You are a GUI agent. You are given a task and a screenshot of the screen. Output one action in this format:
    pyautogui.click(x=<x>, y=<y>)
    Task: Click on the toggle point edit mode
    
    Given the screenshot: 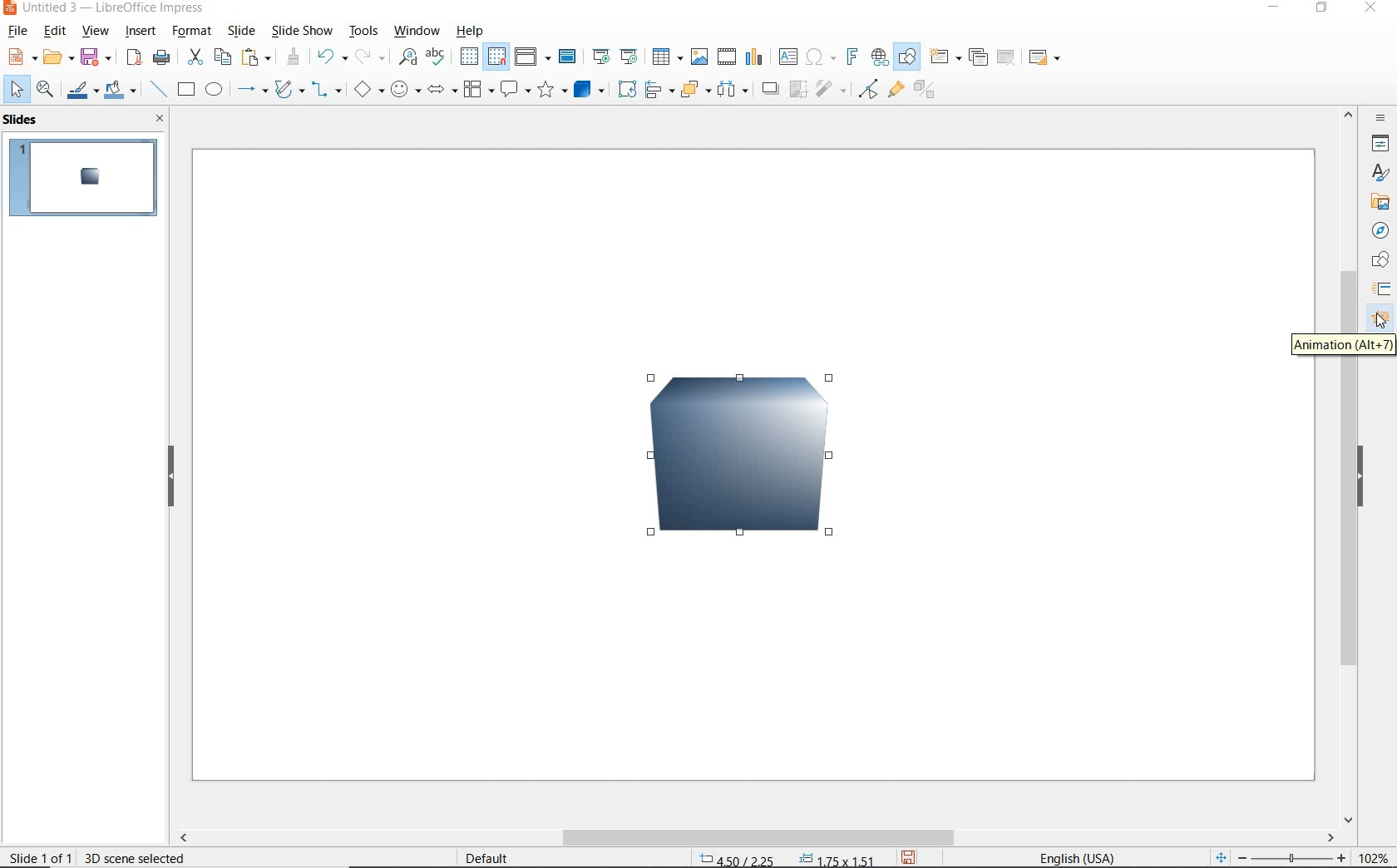 What is the action you would take?
    pyautogui.click(x=869, y=87)
    